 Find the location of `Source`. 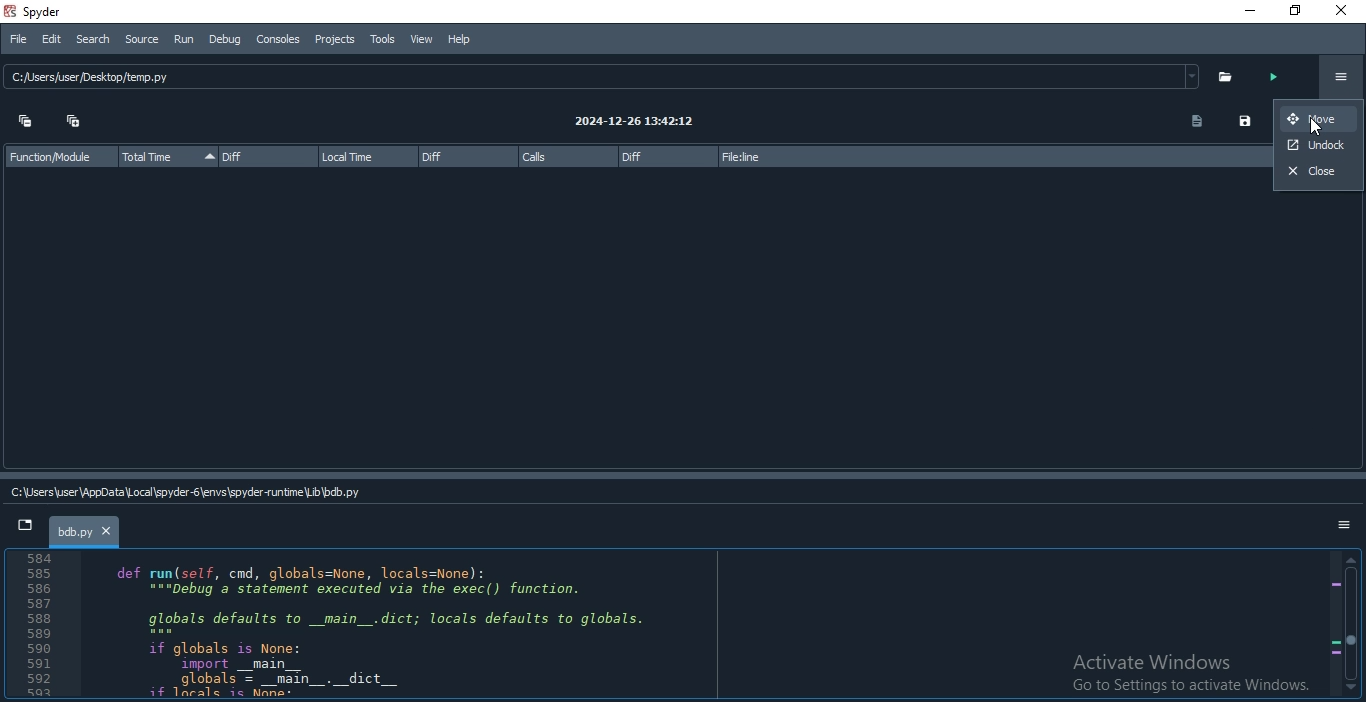

Source is located at coordinates (144, 40).